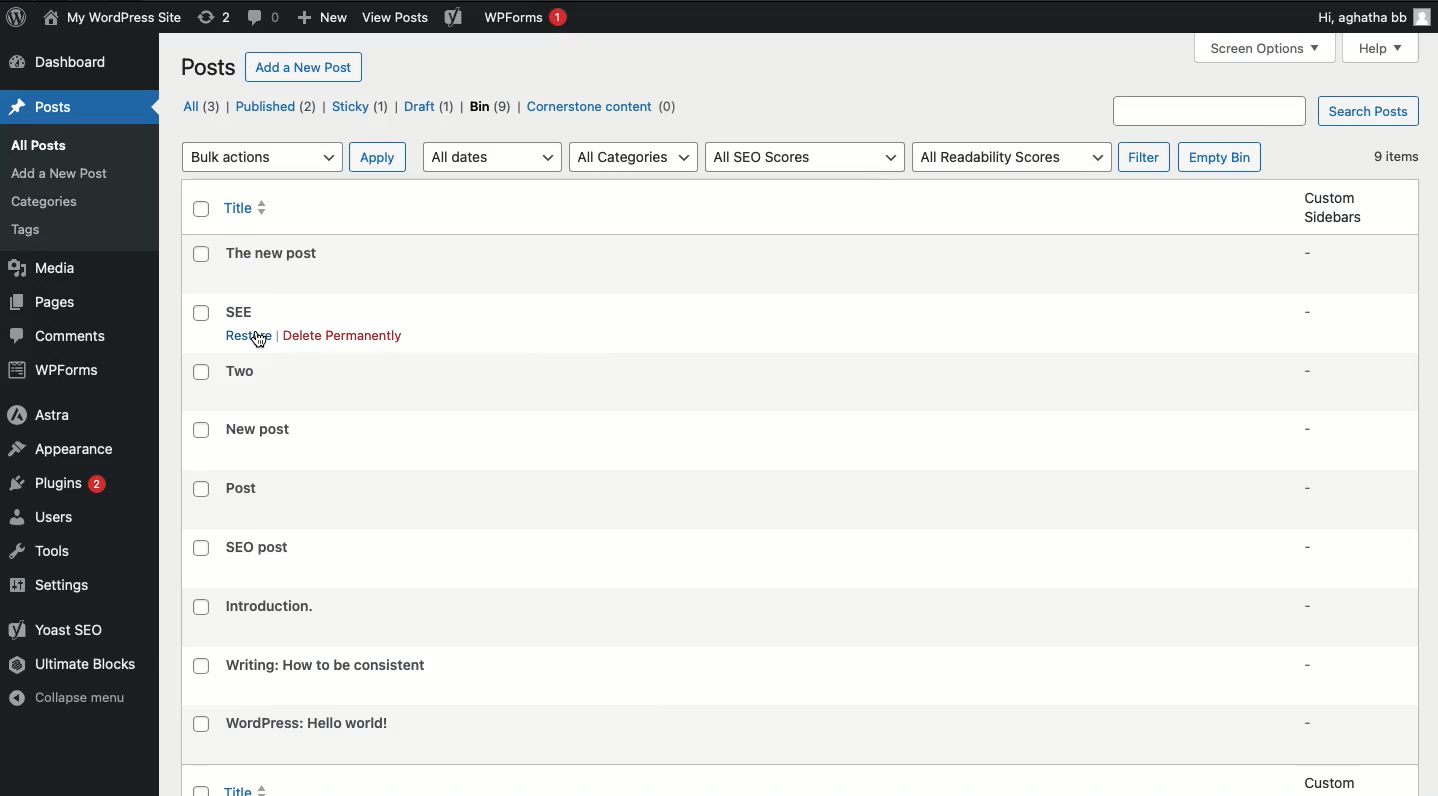  Describe the element at coordinates (261, 156) in the screenshot. I see `Bulk actions` at that location.